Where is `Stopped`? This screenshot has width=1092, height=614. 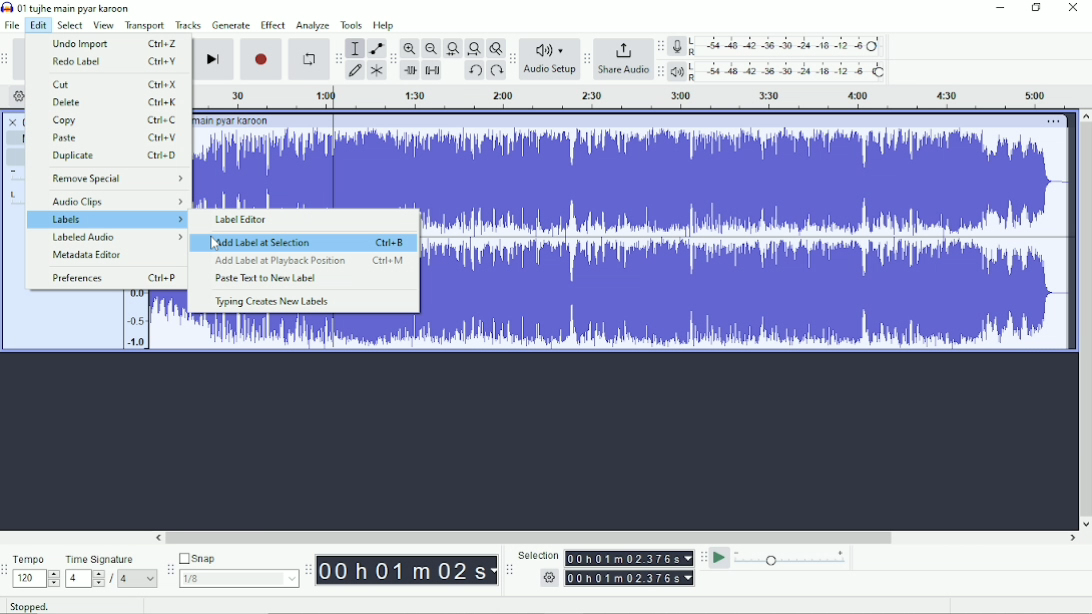
Stopped is located at coordinates (30, 606).